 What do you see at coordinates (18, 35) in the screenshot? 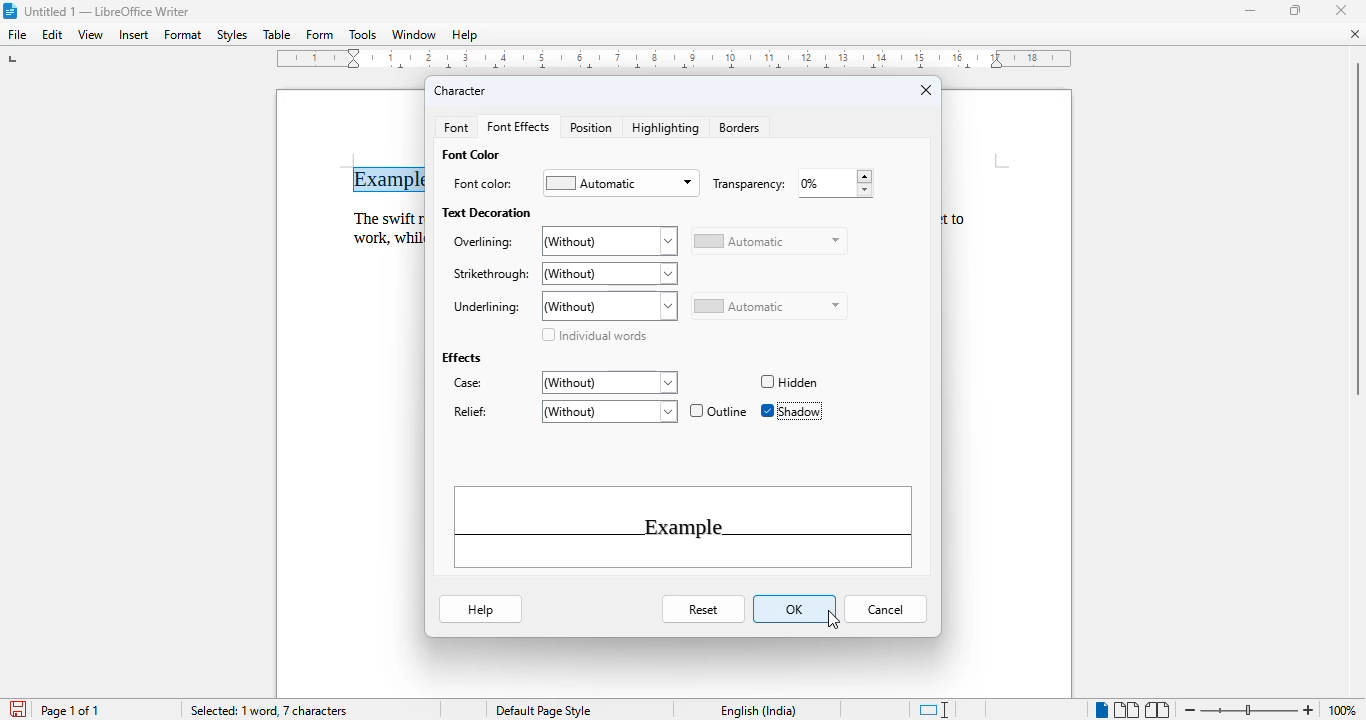
I see `file` at bounding box center [18, 35].